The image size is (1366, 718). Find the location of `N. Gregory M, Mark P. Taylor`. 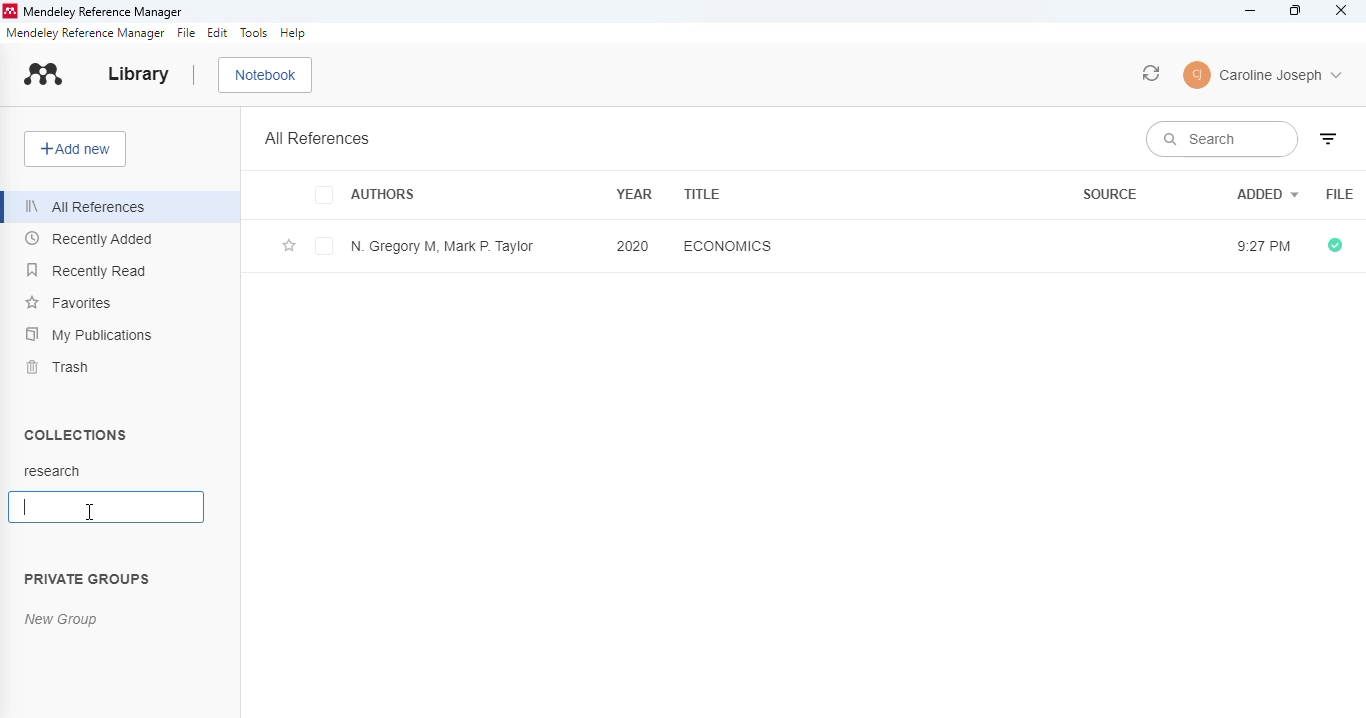

N. Gregory M, Mark P. Taylor is located at coordinates (444, 246).